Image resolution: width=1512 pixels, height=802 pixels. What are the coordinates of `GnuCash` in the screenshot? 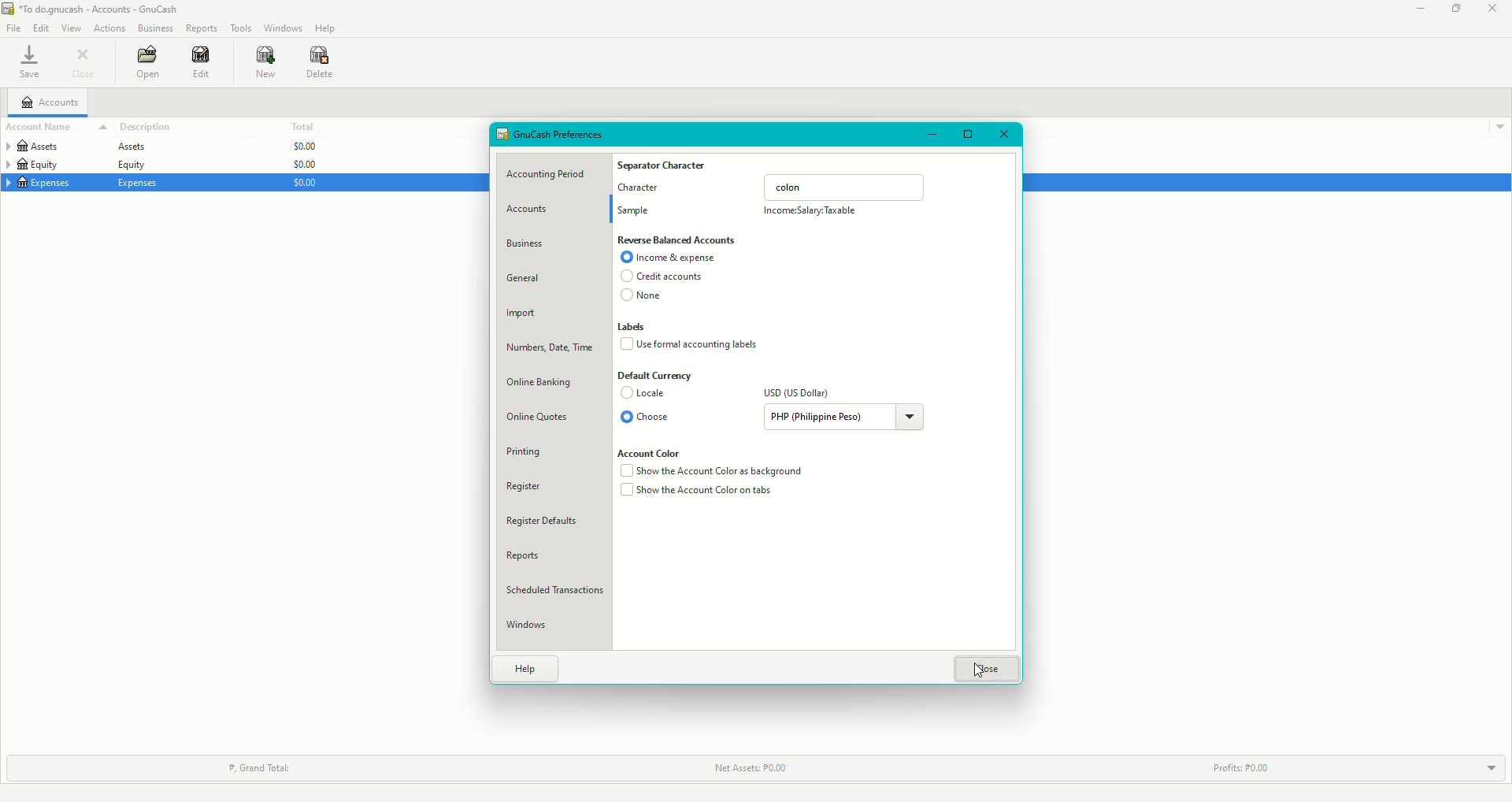 It's located at (94, 9).